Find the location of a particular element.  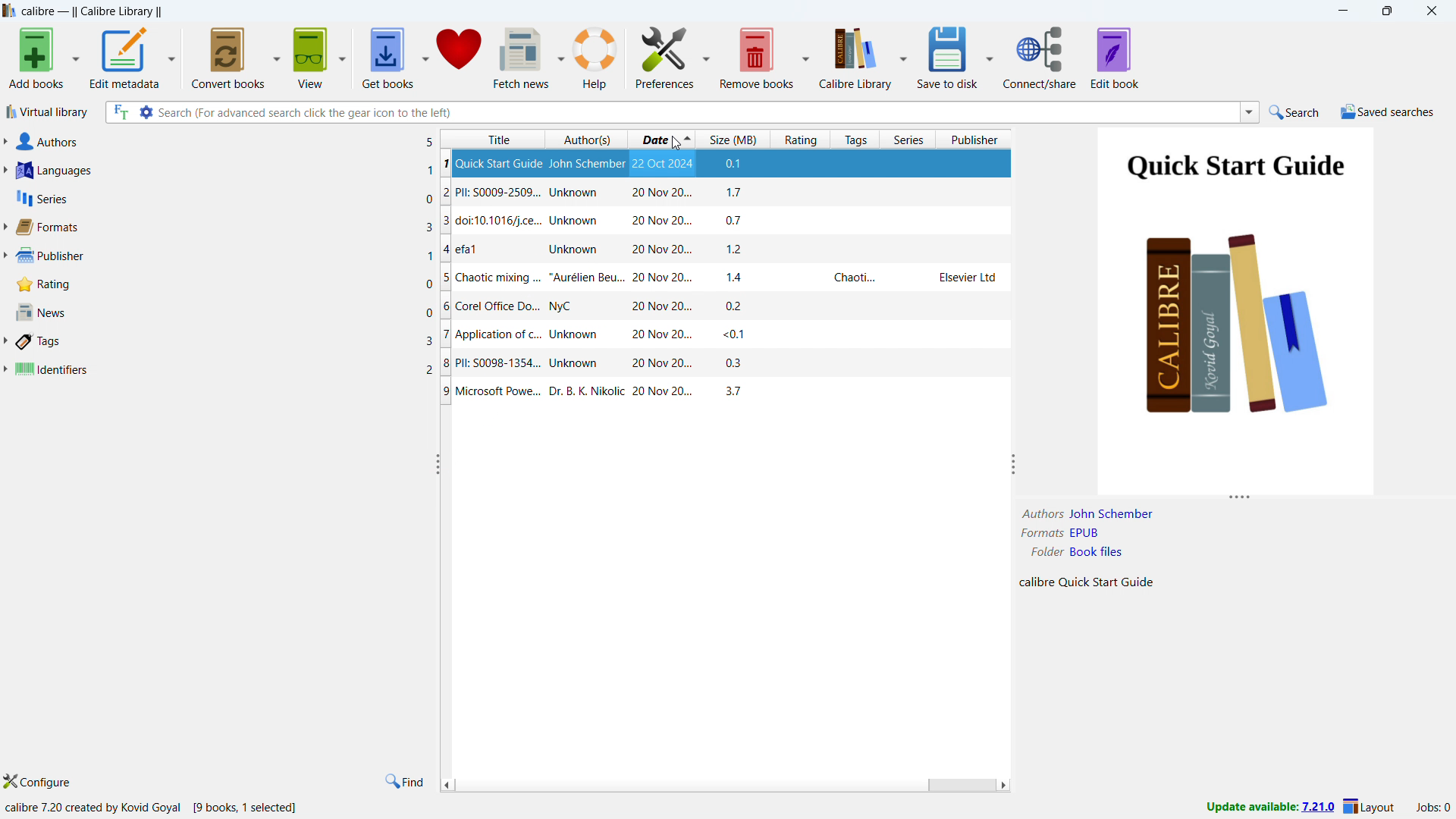

languages is located at coordinates (224, 171).